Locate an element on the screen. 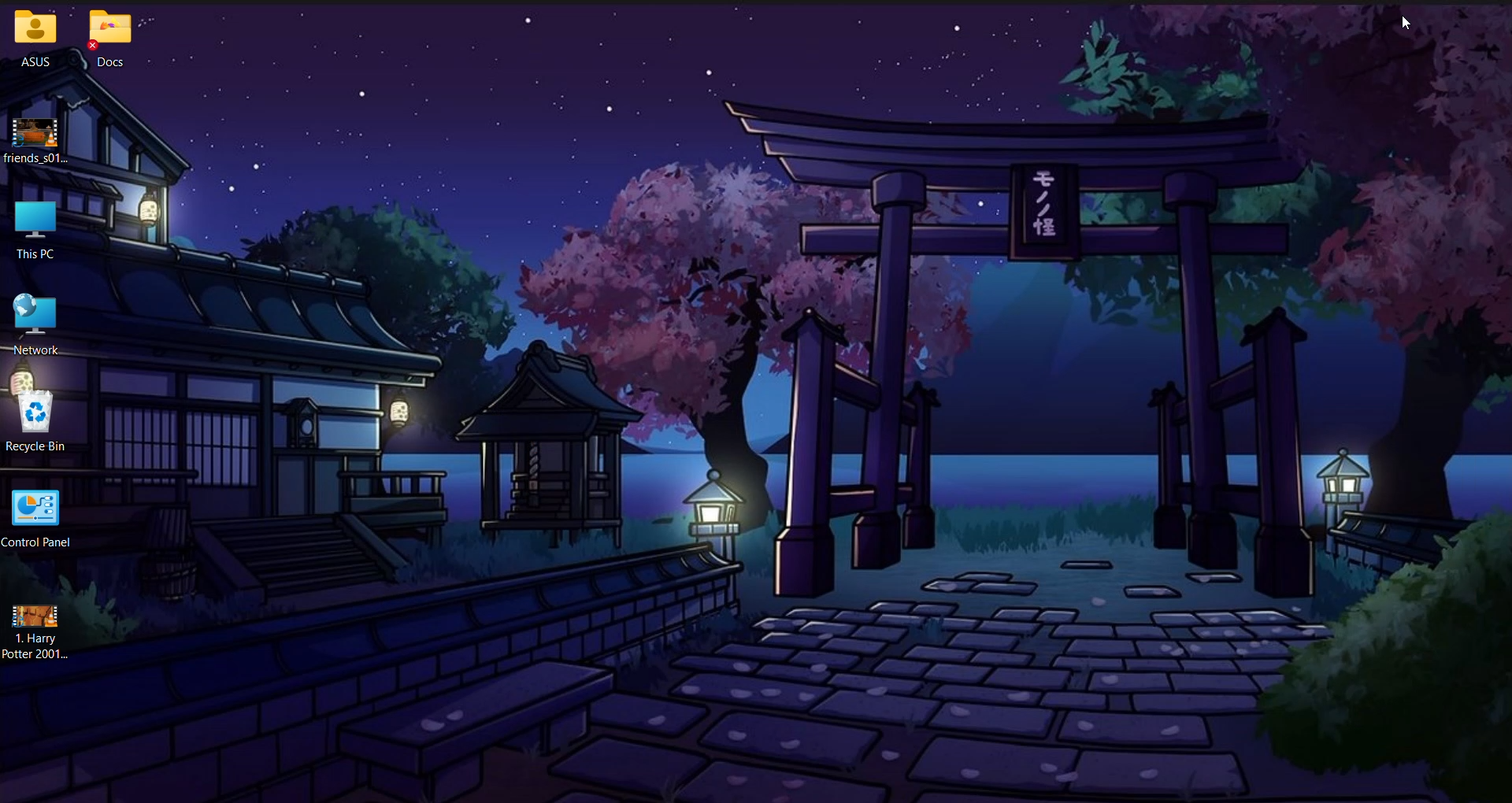 The image size is (1512, 803). Docs is located at coordinates (110, 39).